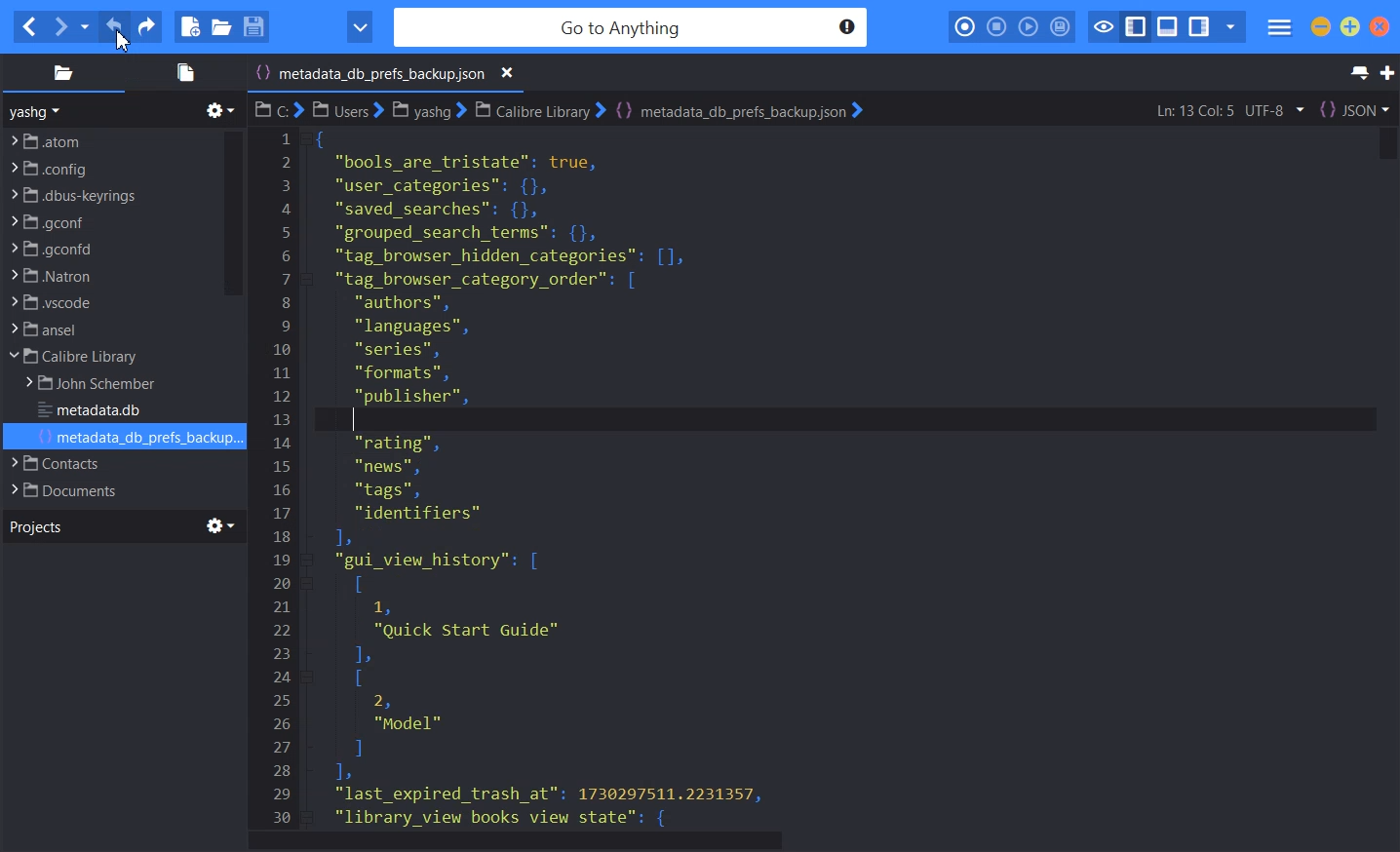 This screenshot has width=1400, height=852. I want to click on File, so click(108, 357).